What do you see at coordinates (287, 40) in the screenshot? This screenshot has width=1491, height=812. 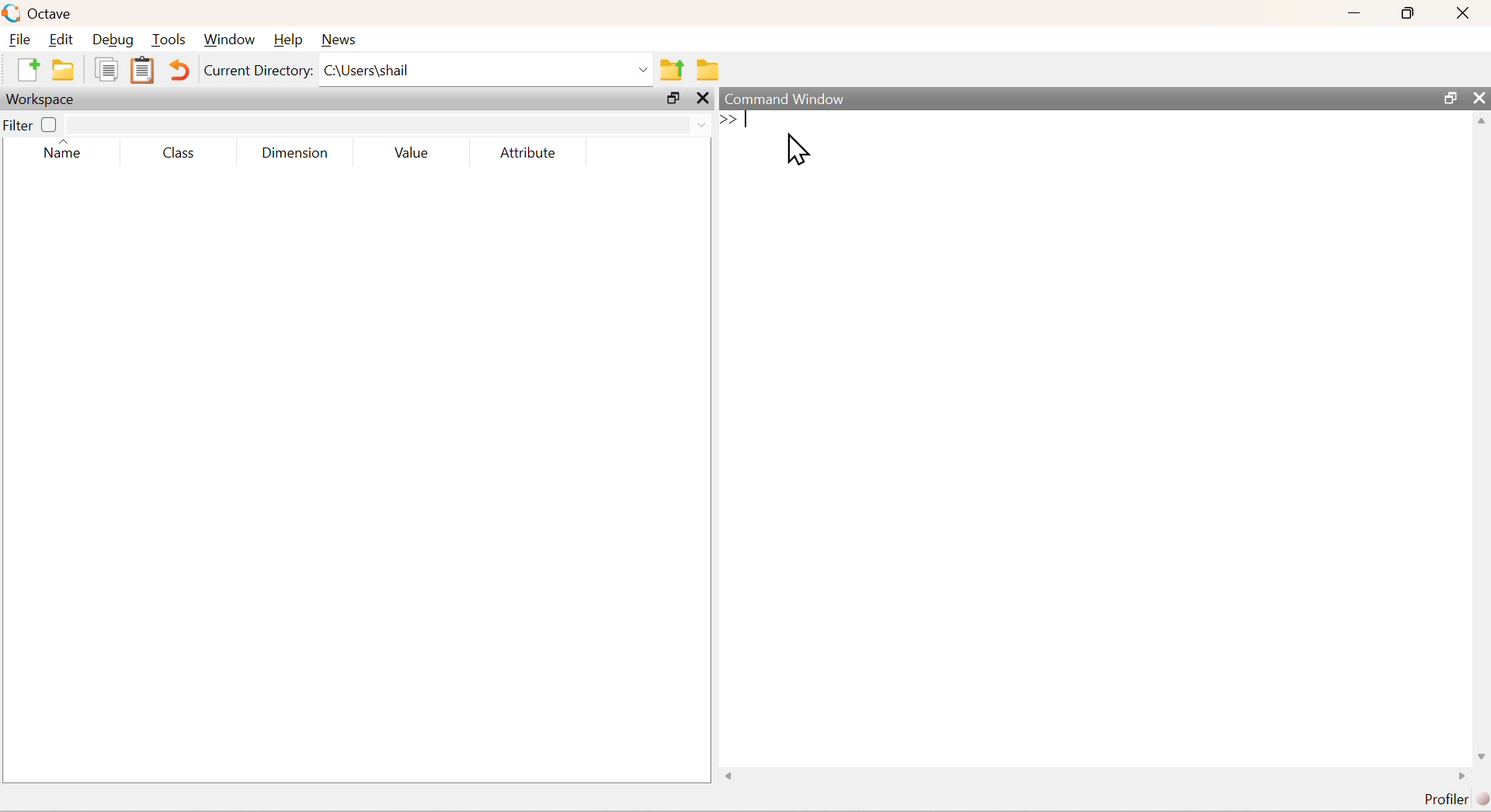 I see `Help` at bounding box center [287, 40].